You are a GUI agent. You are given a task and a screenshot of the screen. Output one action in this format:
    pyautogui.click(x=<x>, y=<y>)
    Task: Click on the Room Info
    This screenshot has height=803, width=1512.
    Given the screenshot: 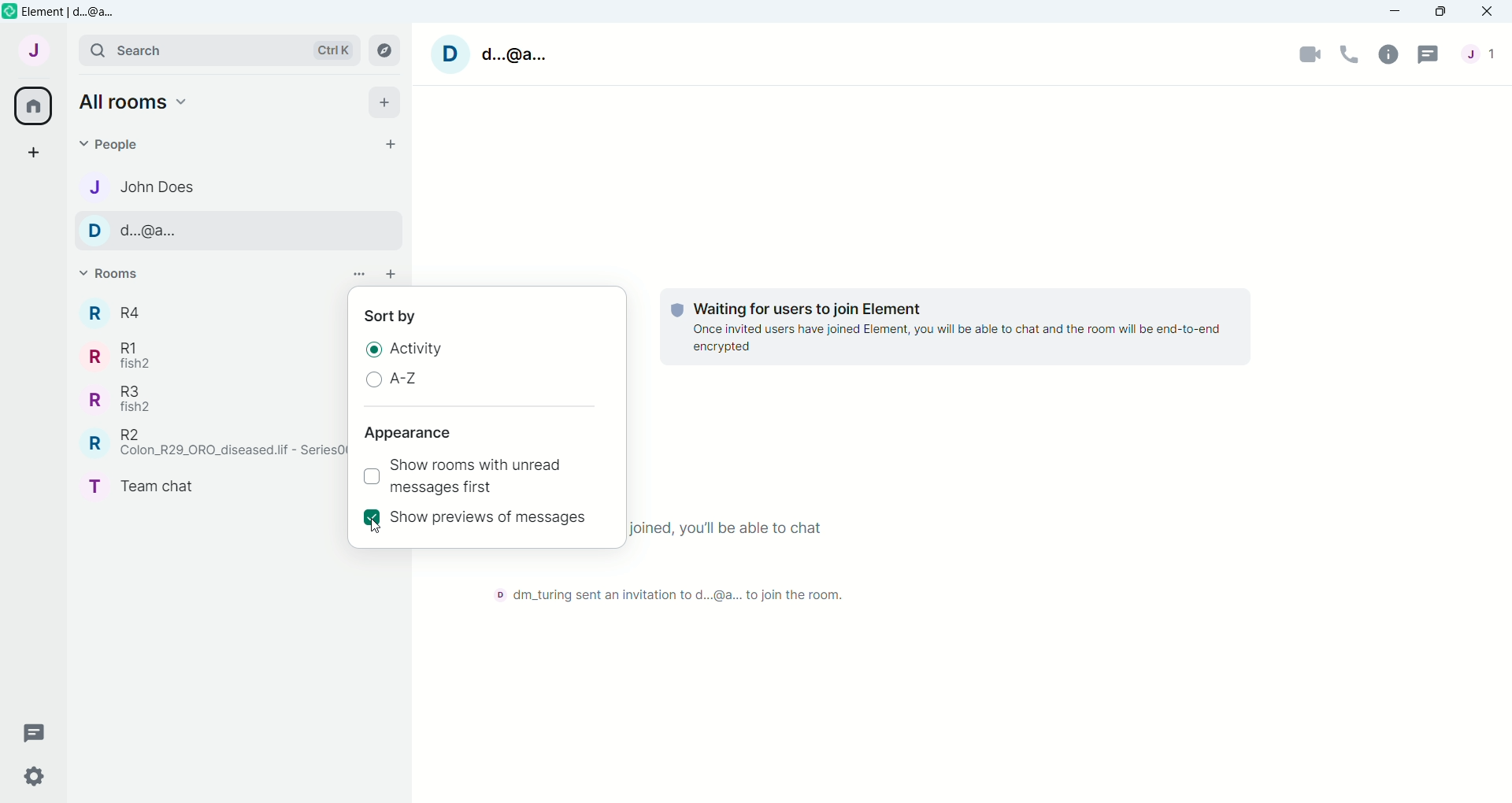 What is the action you would take?
    pyautogui.click(x=1388, y=54)
    